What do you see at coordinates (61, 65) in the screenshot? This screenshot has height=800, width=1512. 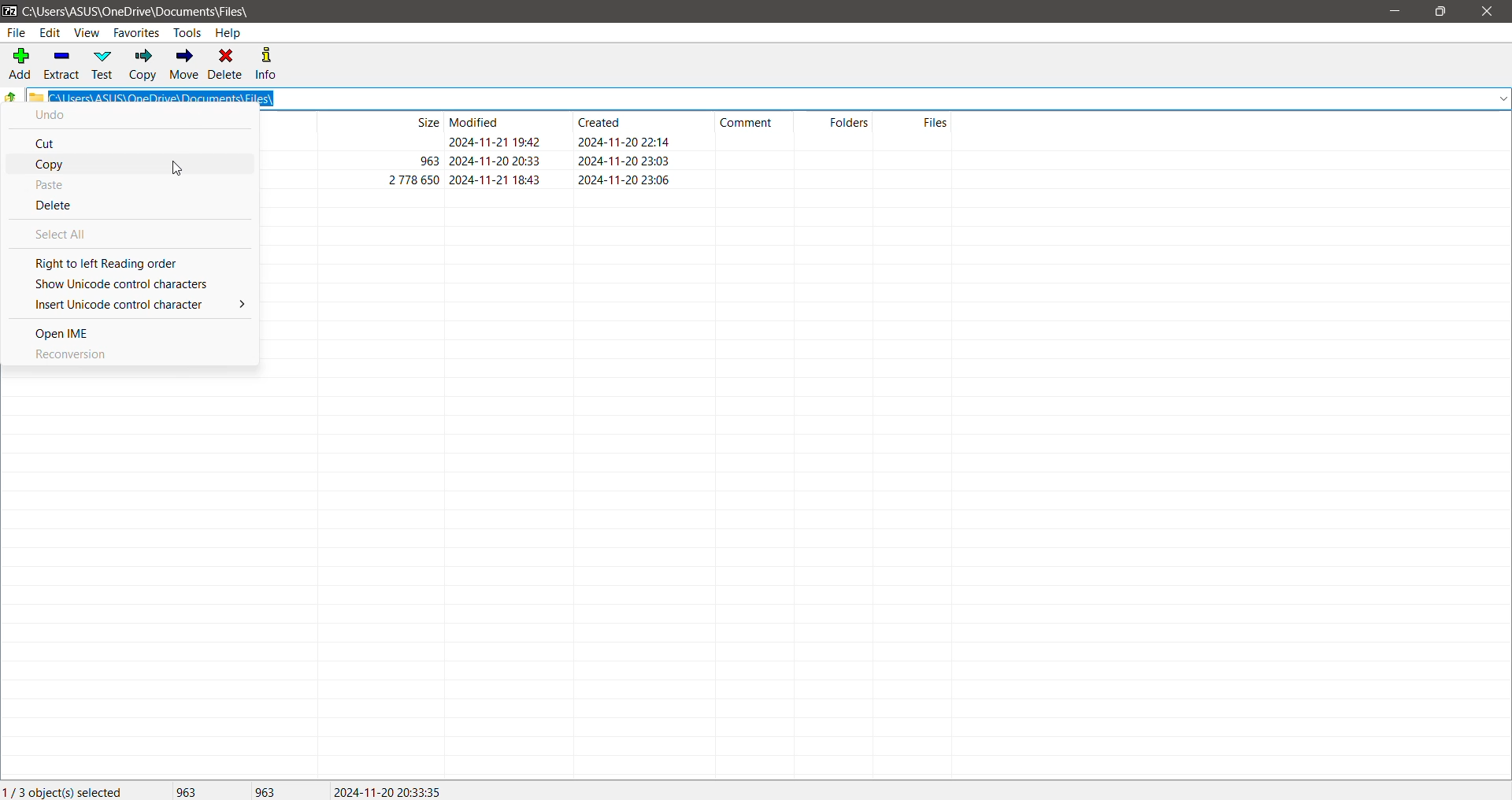 I see `Extract` at bounding box center [61, 65].